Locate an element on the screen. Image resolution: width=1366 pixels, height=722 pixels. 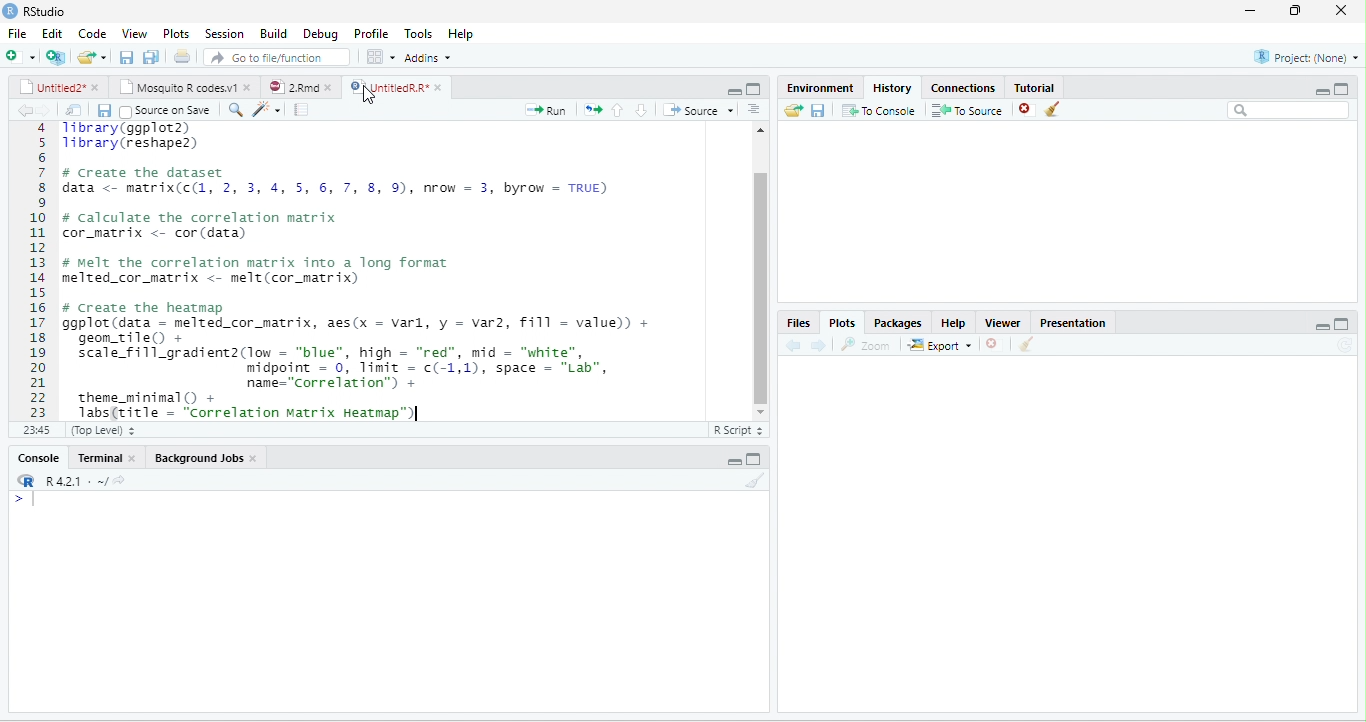
session is located at coordinates (224, 33).